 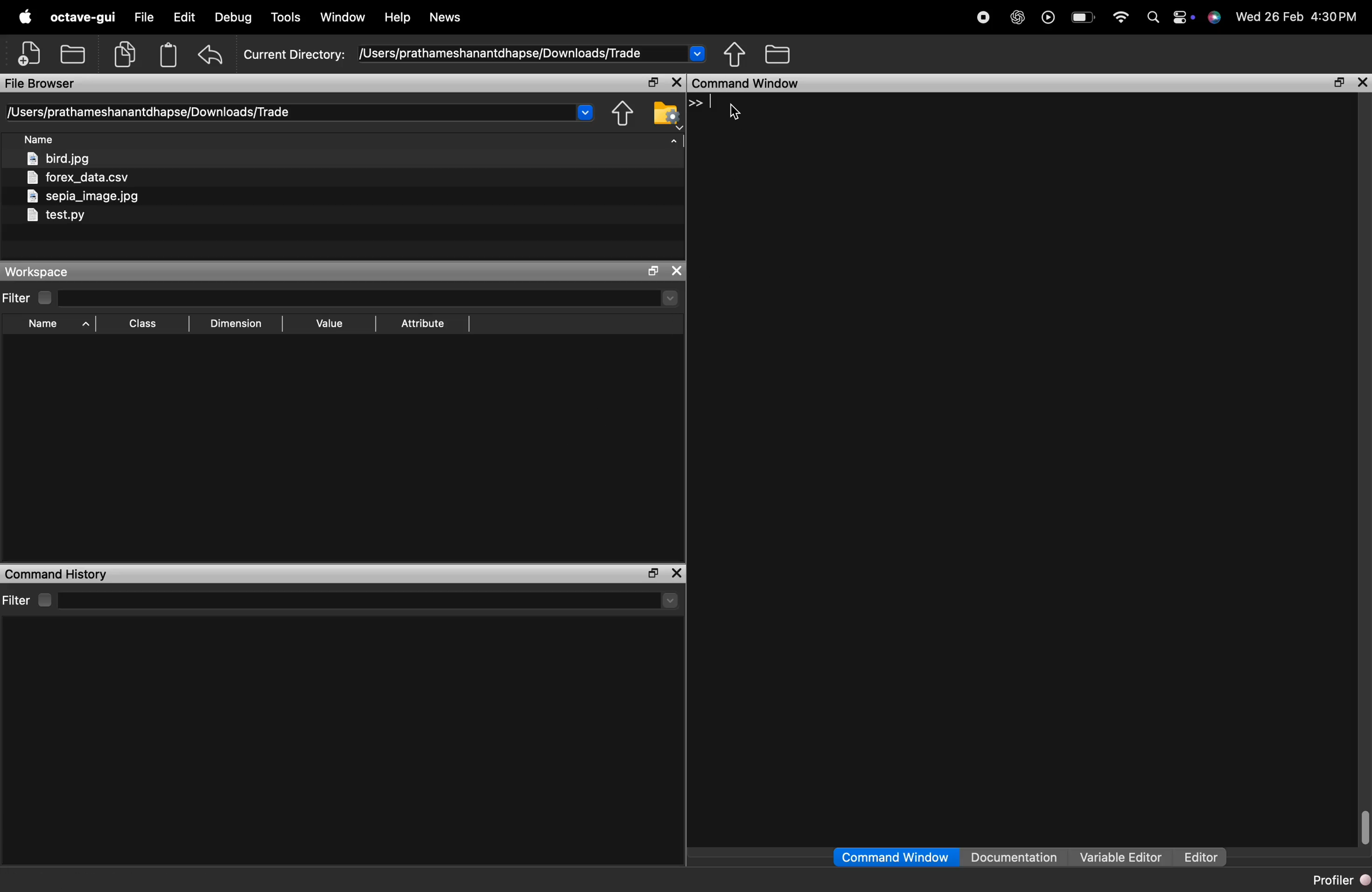 What do you see at coordinates (984, 17) in the screenshot?
I see `stop recording` at bounding box center [984, 17].